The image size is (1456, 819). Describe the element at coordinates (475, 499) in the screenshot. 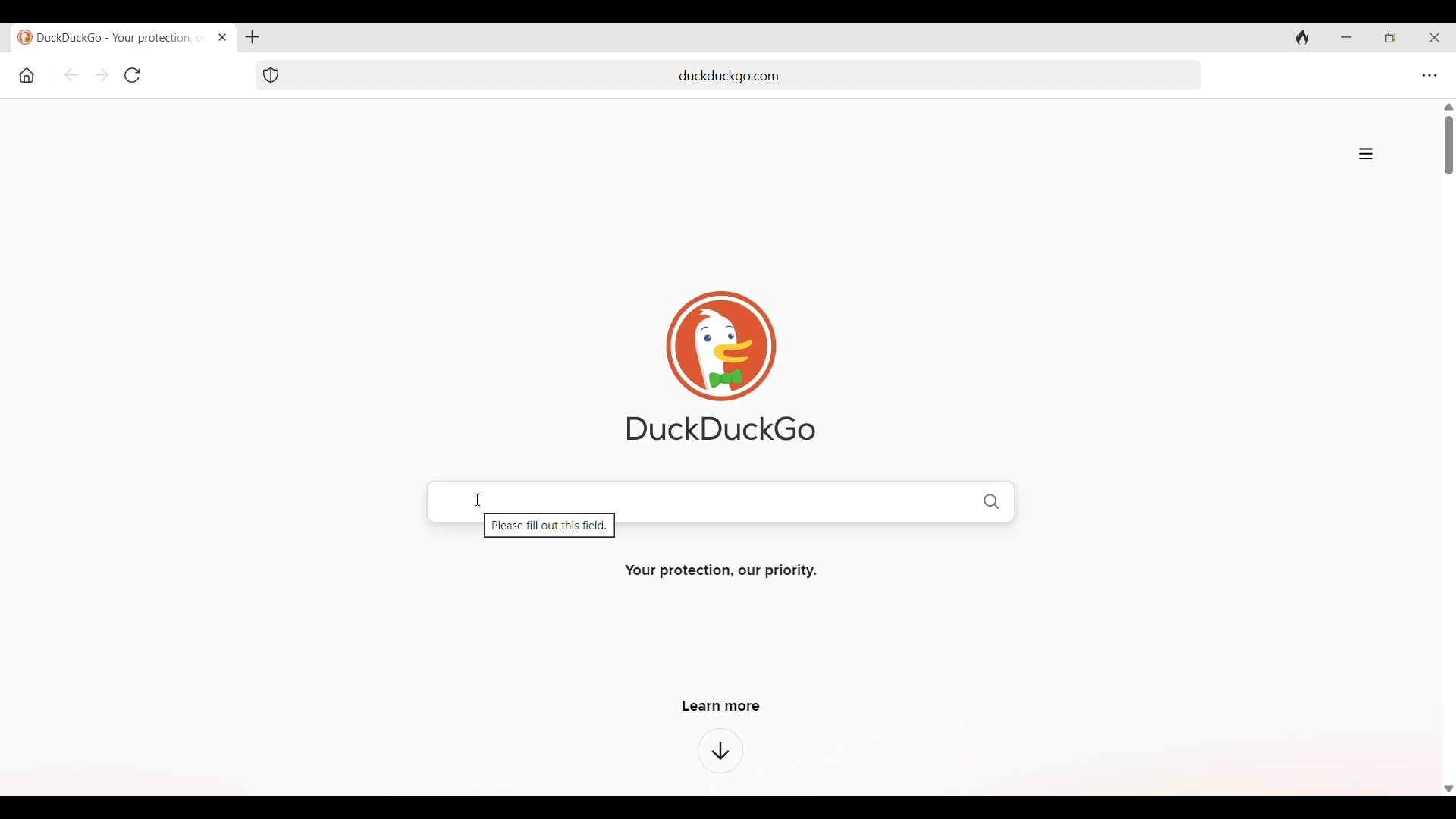

I see `cursor` at that location.